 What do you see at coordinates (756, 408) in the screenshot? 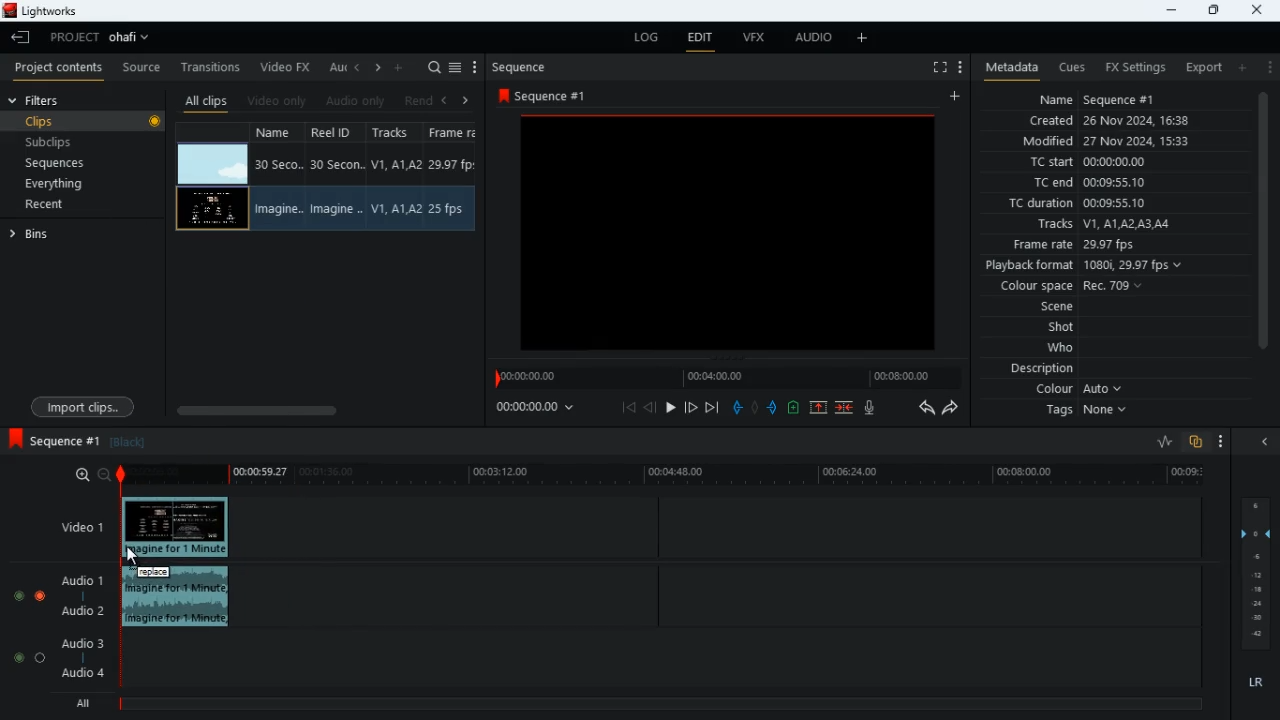
I see `hold` at bounding box center [756, 408].